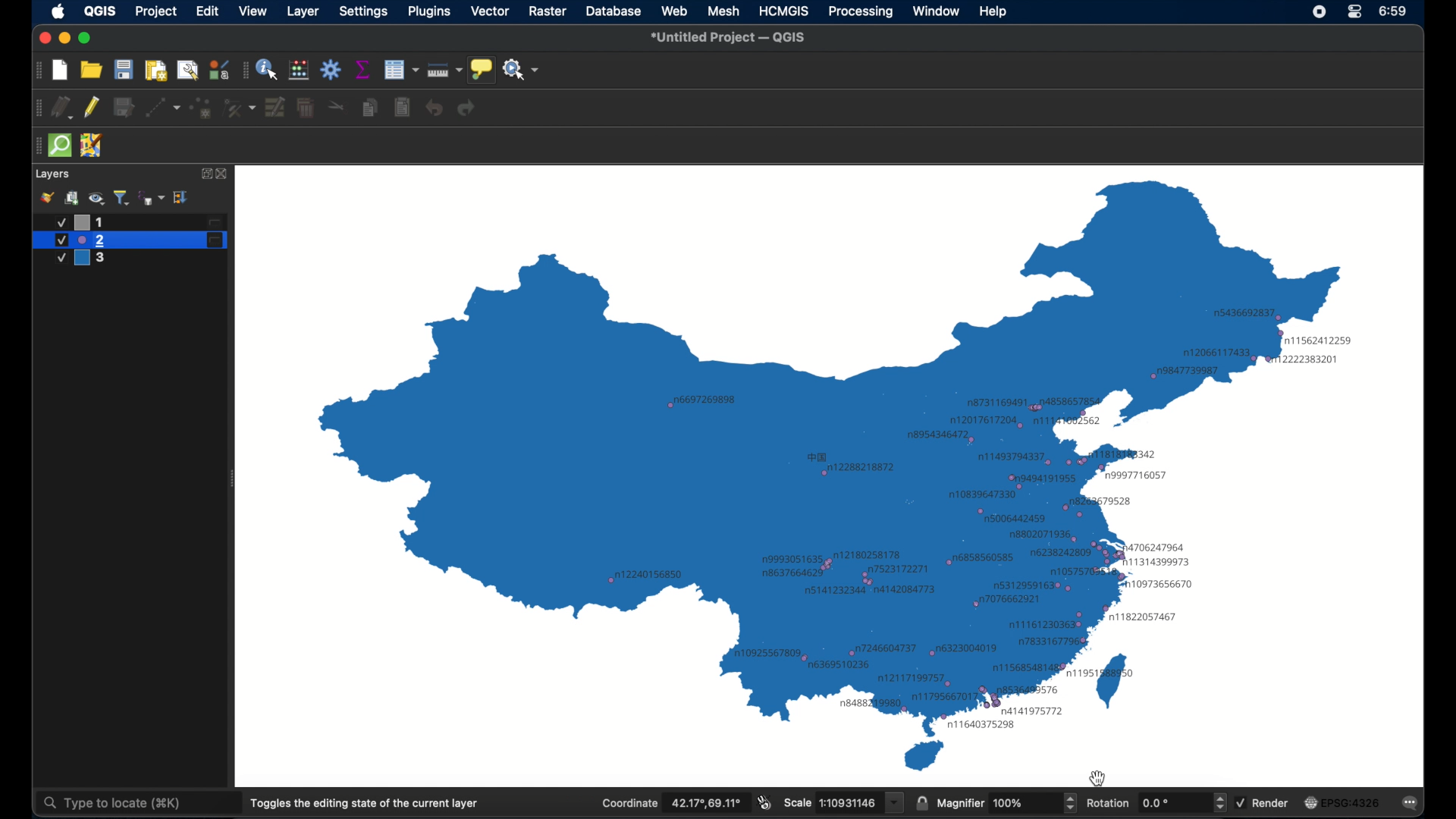  Describe the element at coordinates (59, 11) in the screenshot. I see `apple icon` at that location.